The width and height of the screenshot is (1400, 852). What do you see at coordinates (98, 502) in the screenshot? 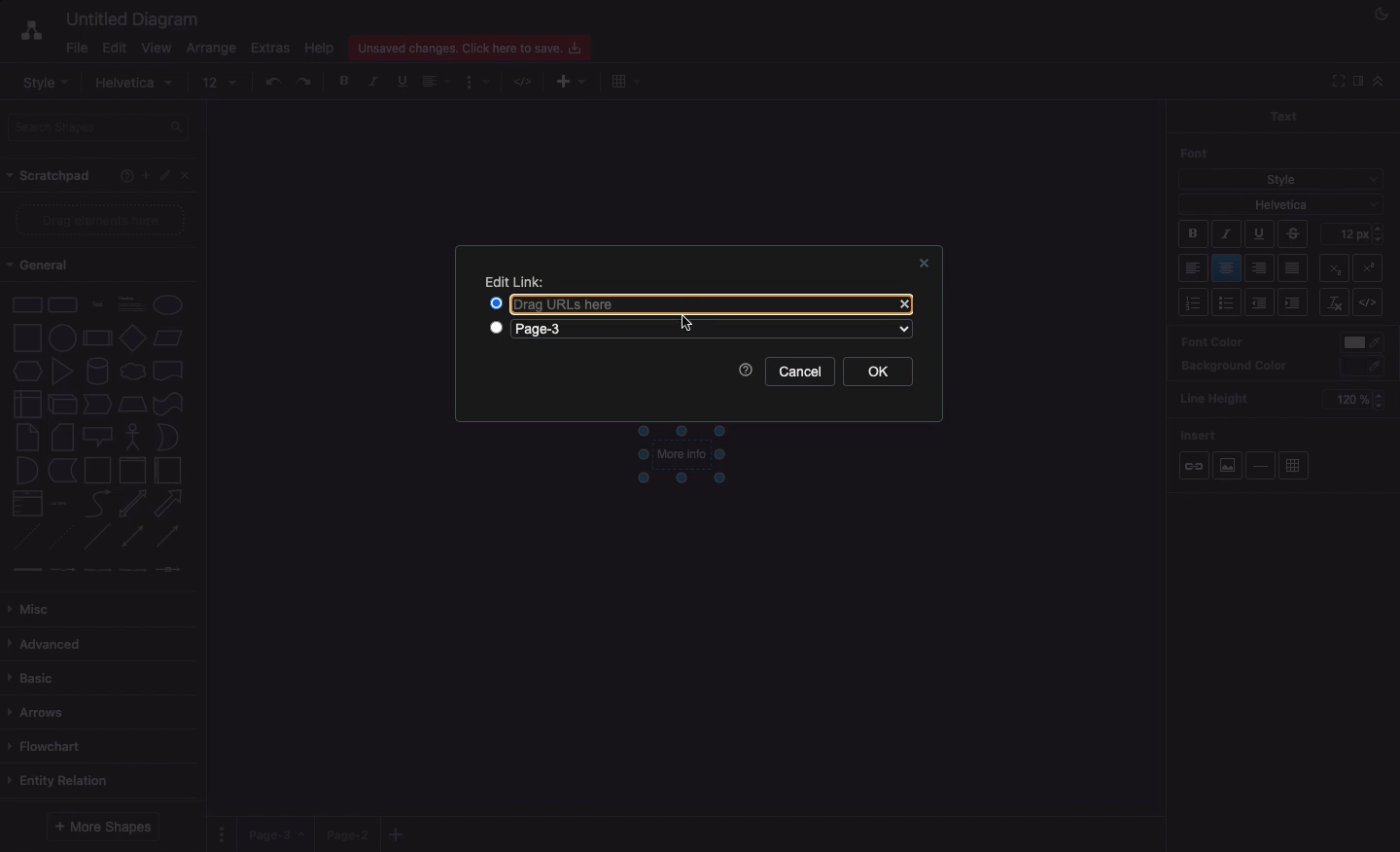
I see `curve` at bounding box center [98, 502].